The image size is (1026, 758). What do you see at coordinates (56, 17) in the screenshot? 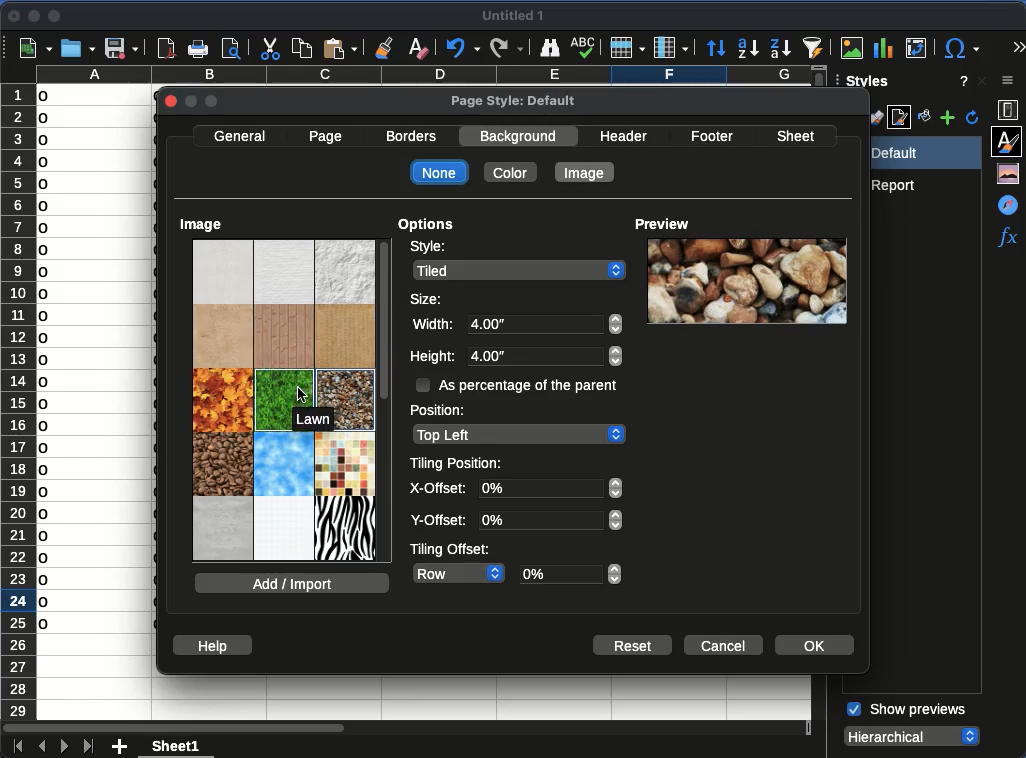
I see `maximize` at bounding box center [56, 17].